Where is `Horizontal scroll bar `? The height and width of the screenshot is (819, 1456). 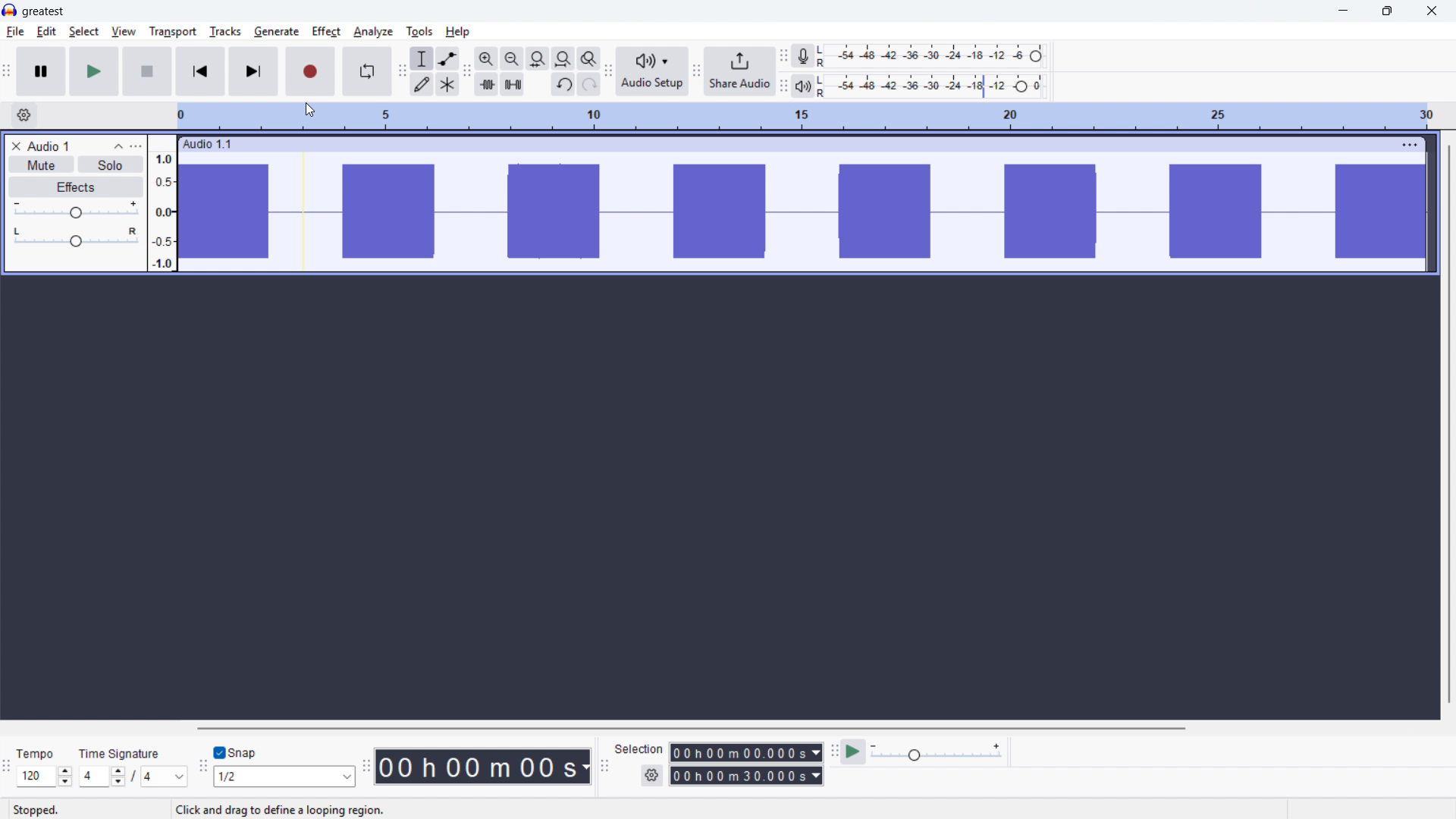
Horizontal scroll bar  is located at coordinates (811, 728).